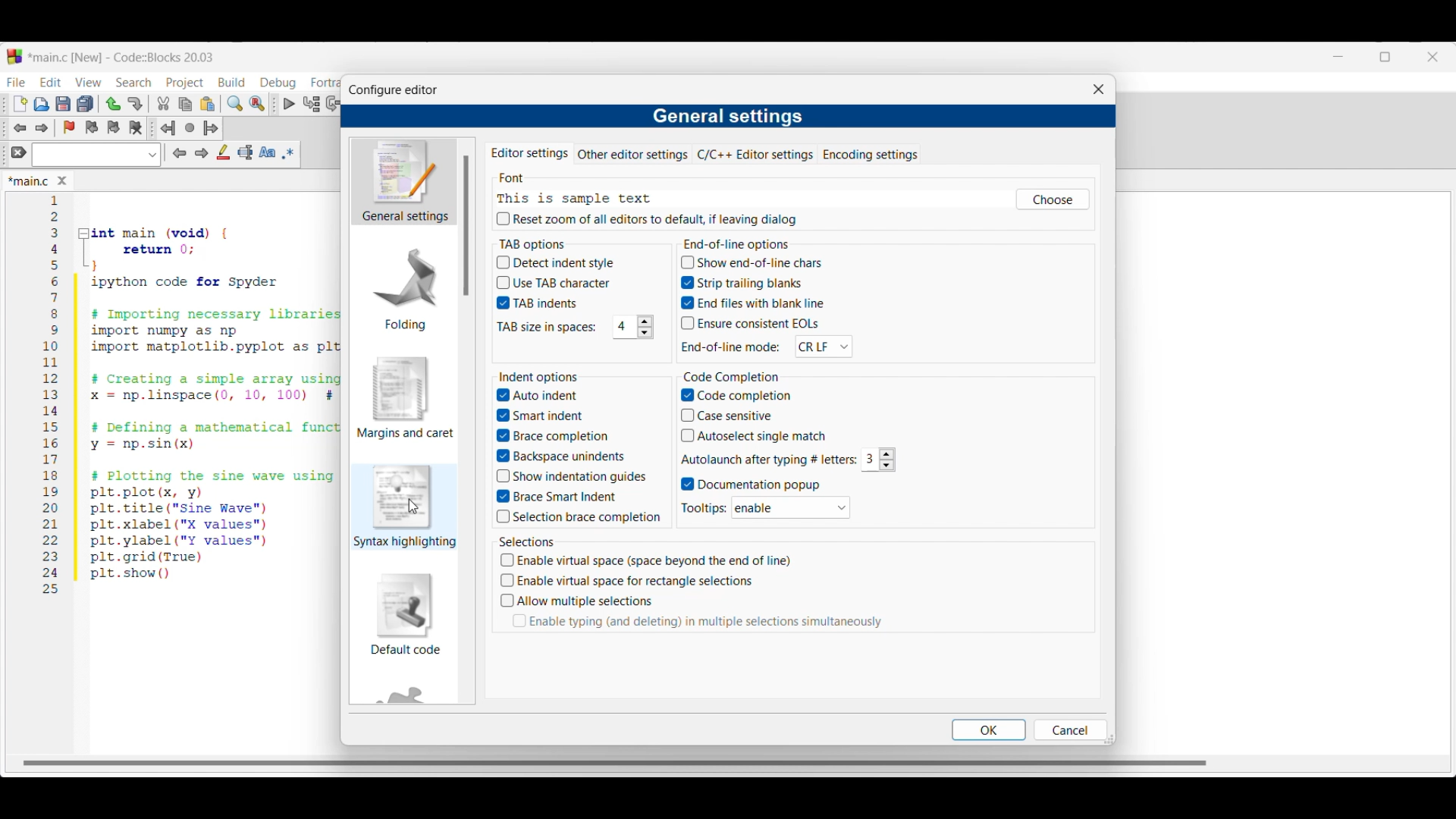  Describe the element at coordinates (88, 83) in the screenshot. I see `View menu` at that location.